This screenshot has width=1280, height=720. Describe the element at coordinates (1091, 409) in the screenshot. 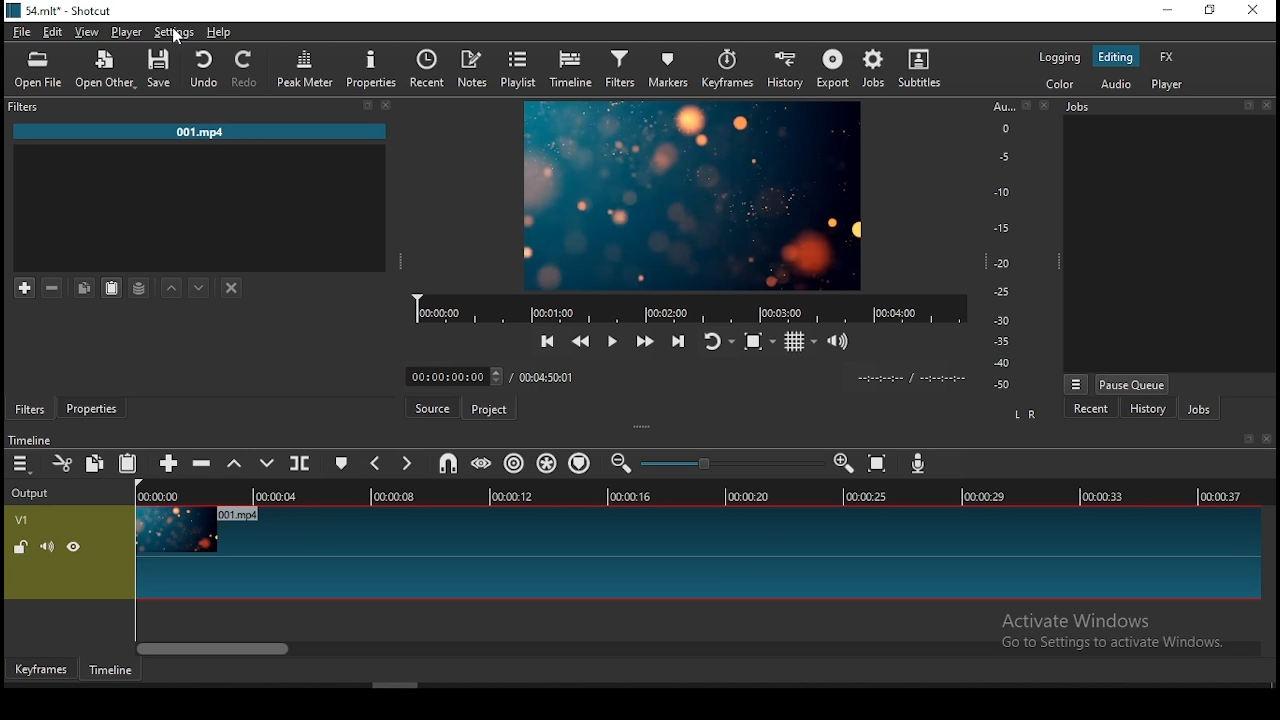

I see `recent` at that location.